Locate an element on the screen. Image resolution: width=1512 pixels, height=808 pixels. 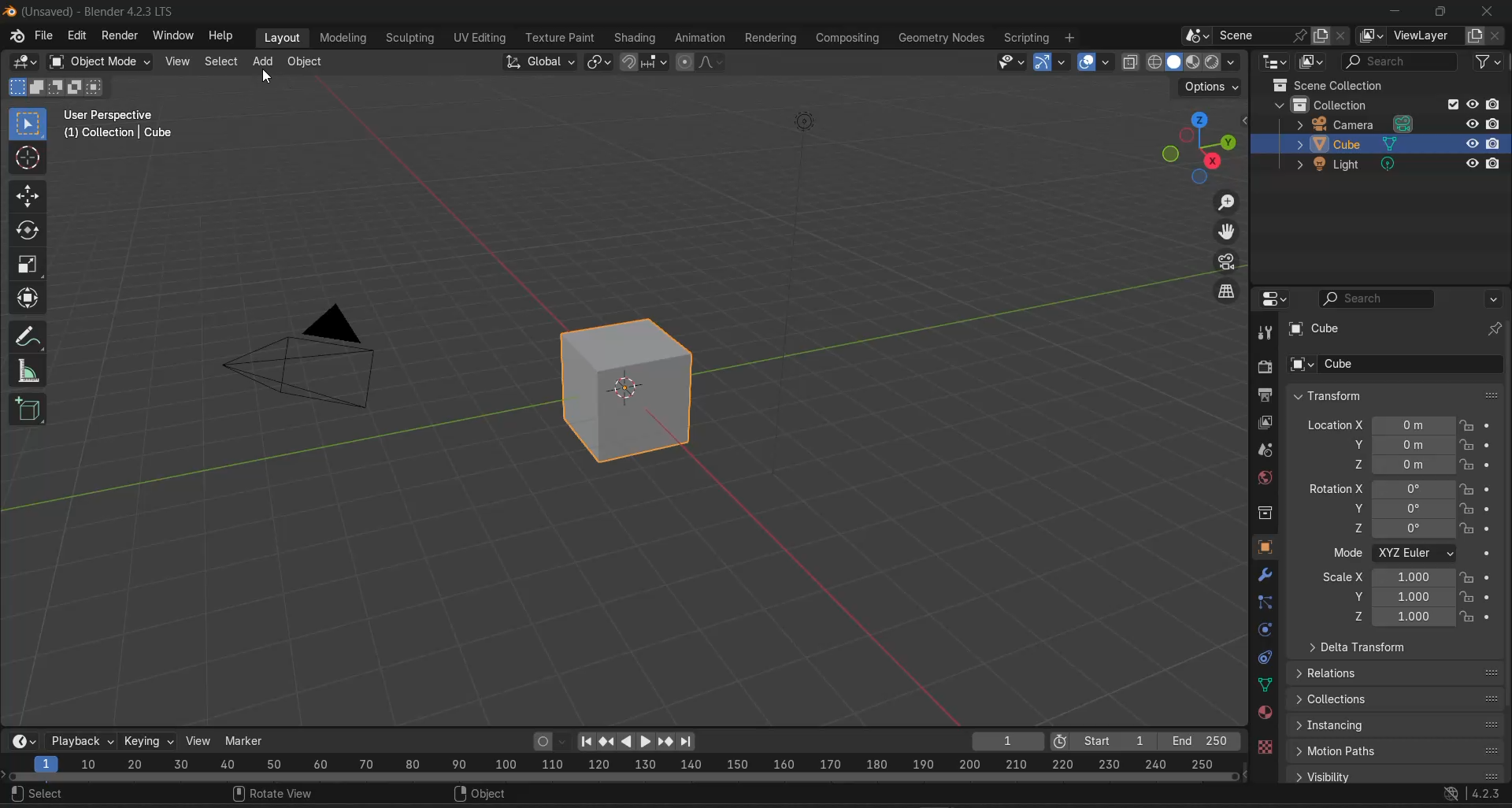
search is located at coordinates (43, 795).